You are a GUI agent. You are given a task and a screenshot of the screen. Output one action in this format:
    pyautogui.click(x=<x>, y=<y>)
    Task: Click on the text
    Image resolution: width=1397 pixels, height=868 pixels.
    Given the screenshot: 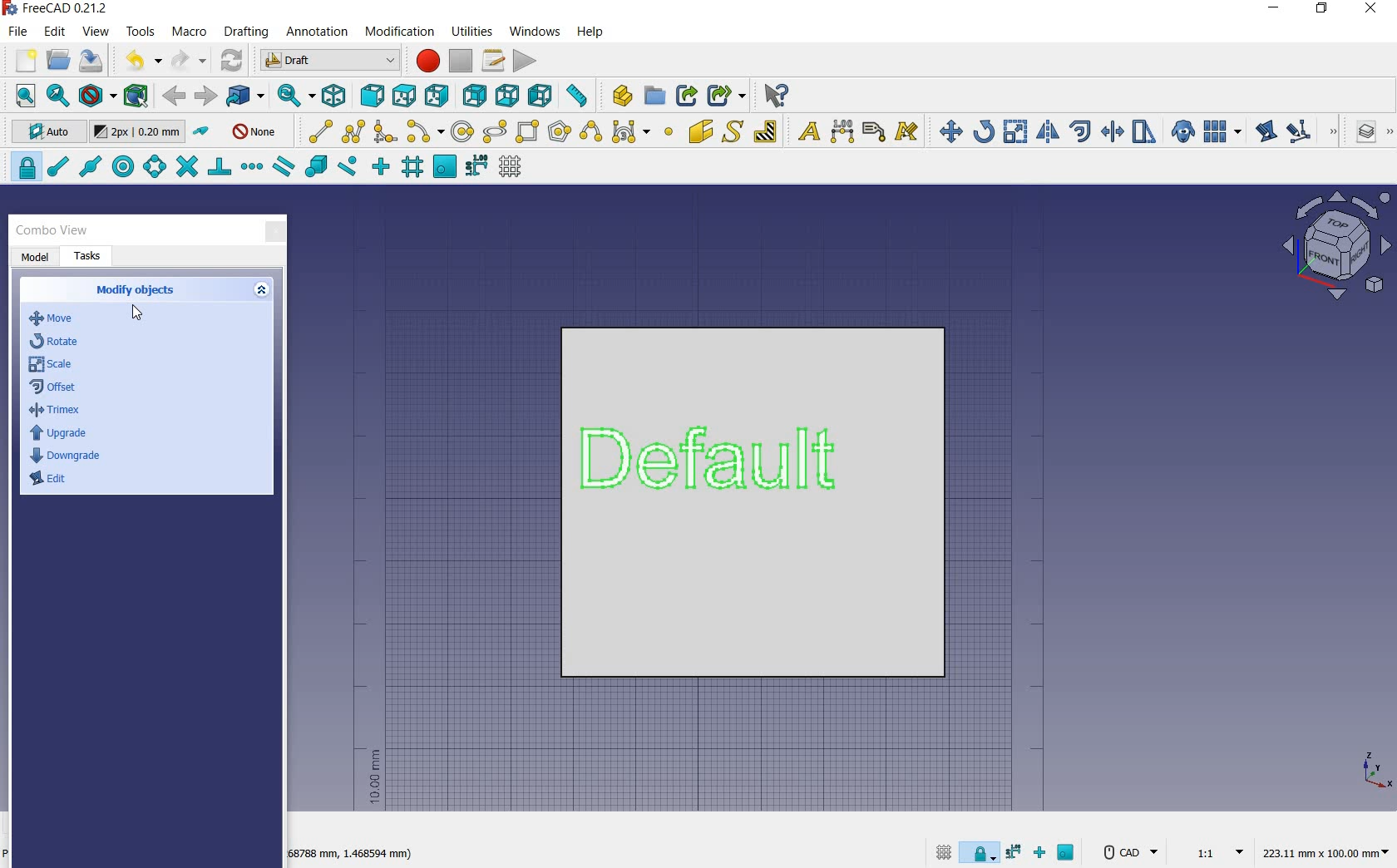 What is the action you would take?
    pyautogui.click(x=805, y=132)
    